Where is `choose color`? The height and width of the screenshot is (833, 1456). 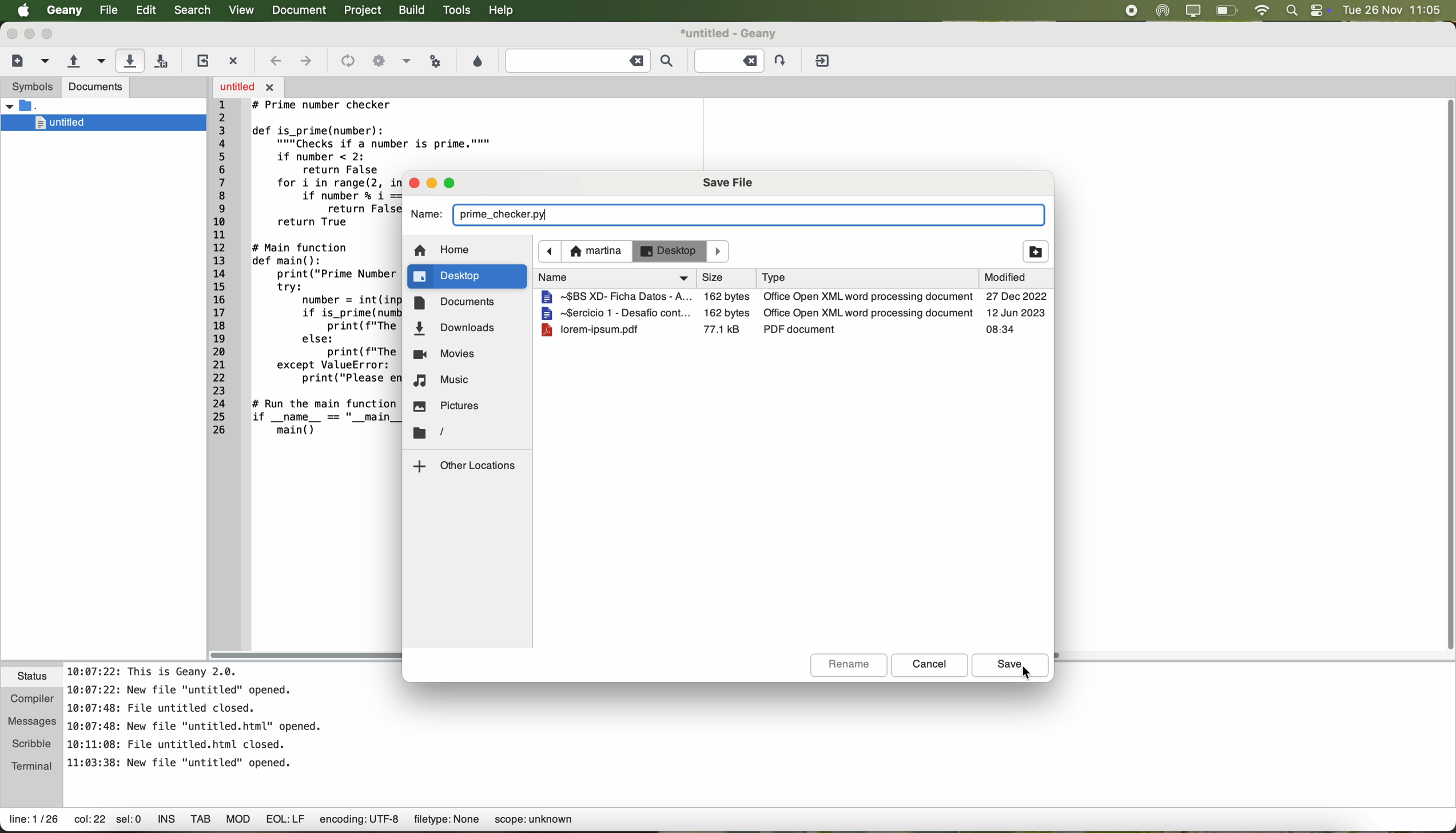
choose color is located at coordinates (477, 61).